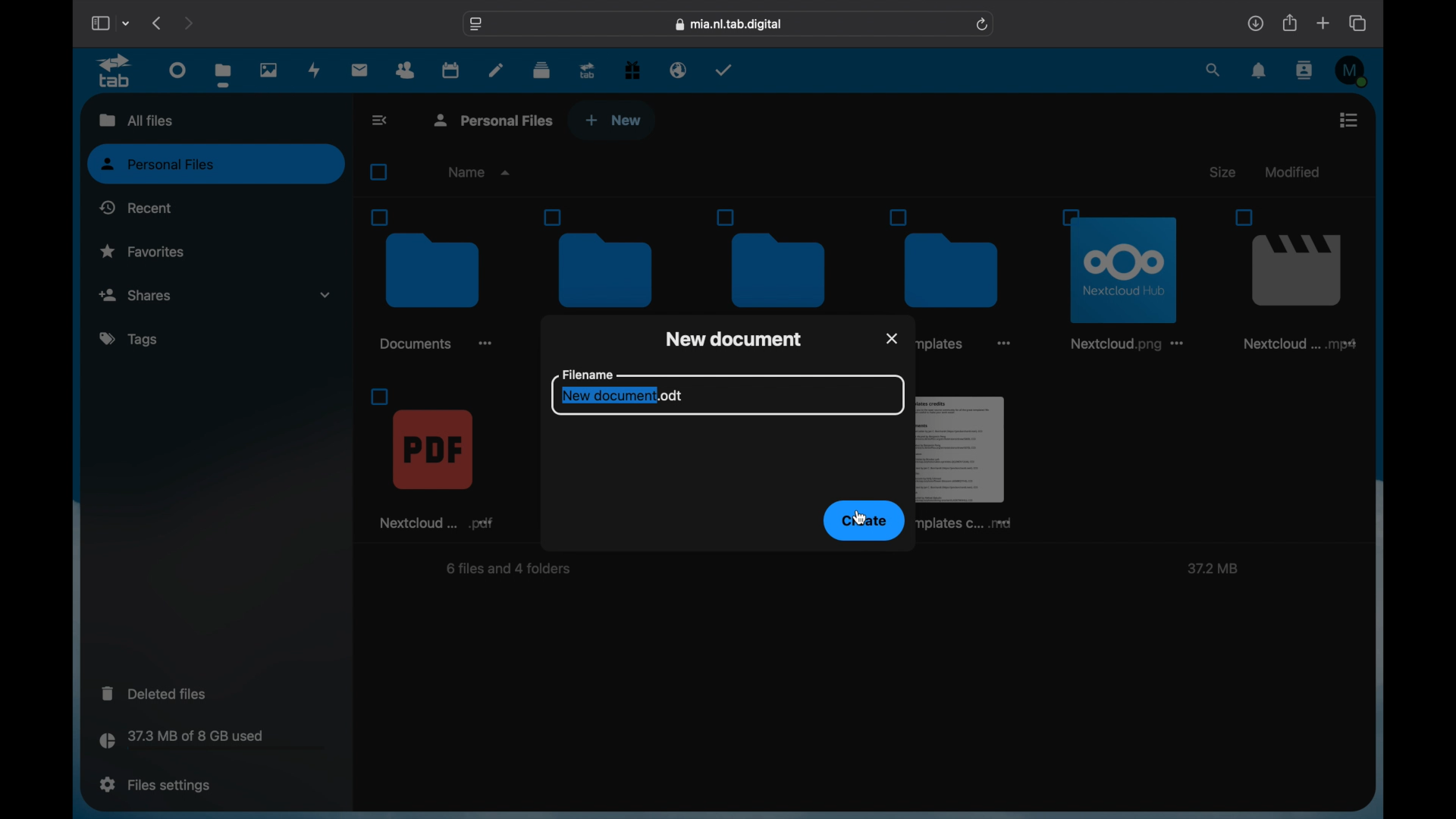 Image resolution: width=1456 pixels, height=819 pixels. Describe the element at coordinates (315, 71) in the screenshot. I see `activity` at that location.